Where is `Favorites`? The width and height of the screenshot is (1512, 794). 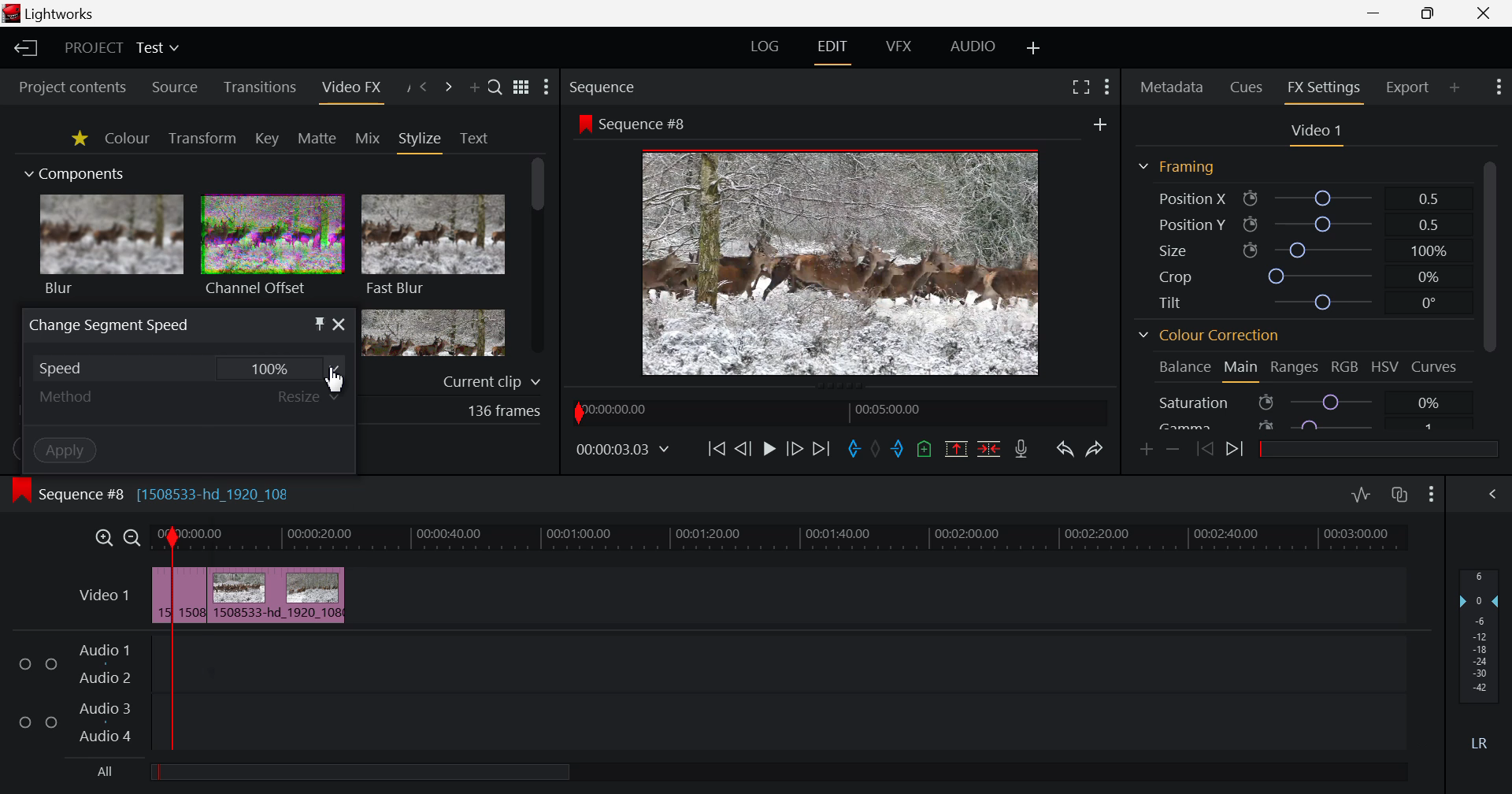 Favorites is located at coordinates (77, 139).